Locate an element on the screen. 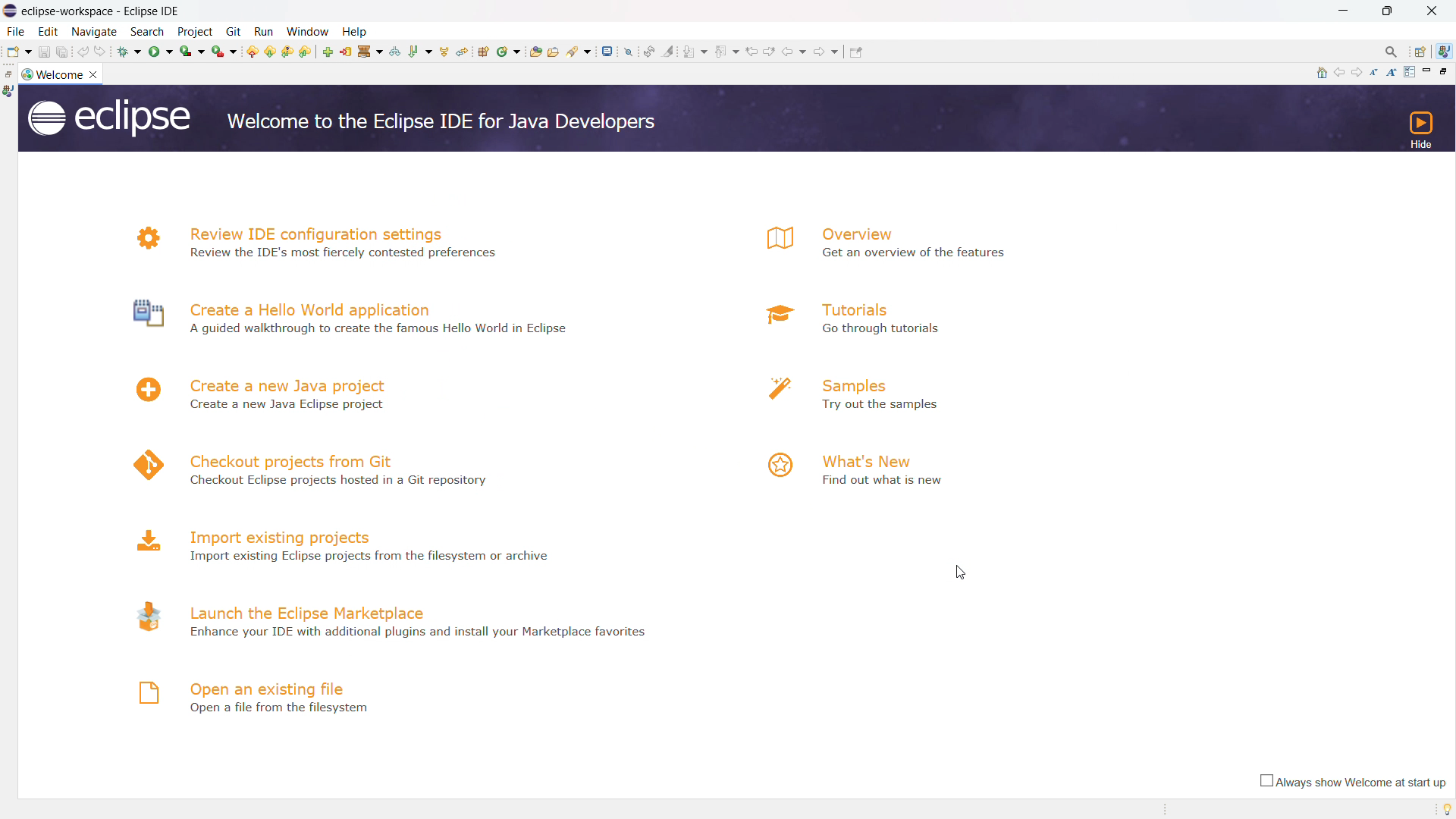  run is located at coordinates (268, 28).